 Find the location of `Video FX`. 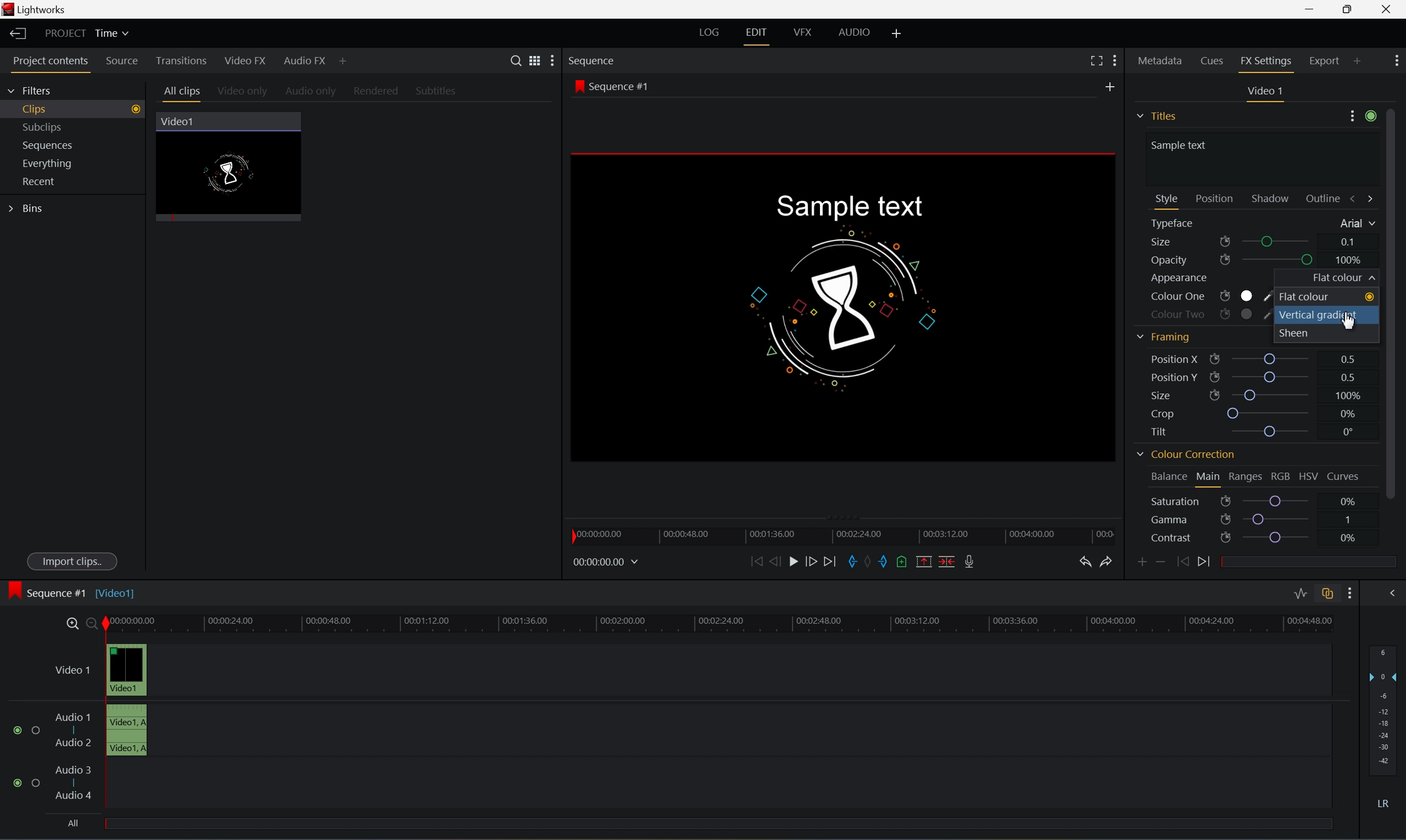

Video FX is located at coordinates (247, 61).